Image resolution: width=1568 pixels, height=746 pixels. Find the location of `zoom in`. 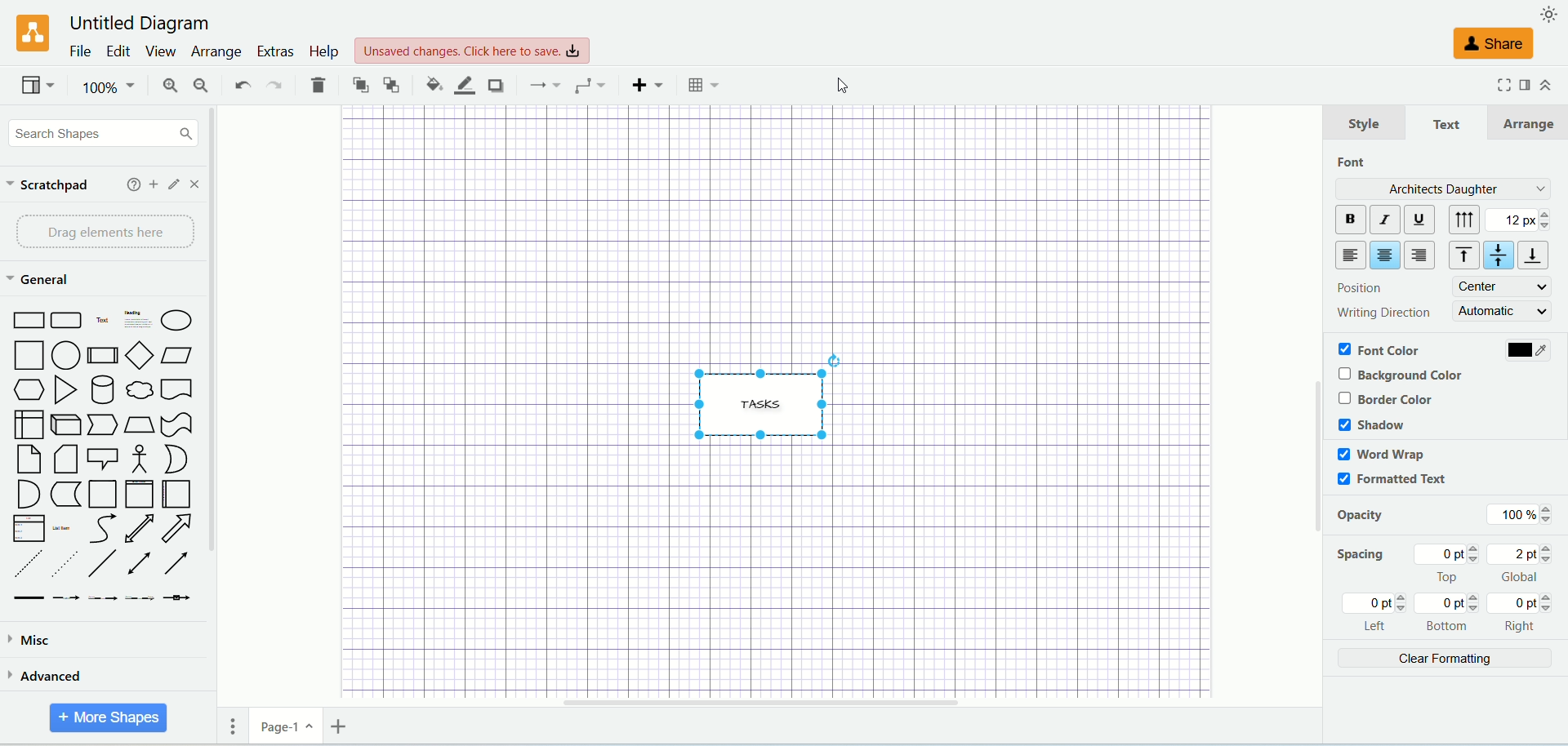

zoom in is located at coordinates (161, 86).